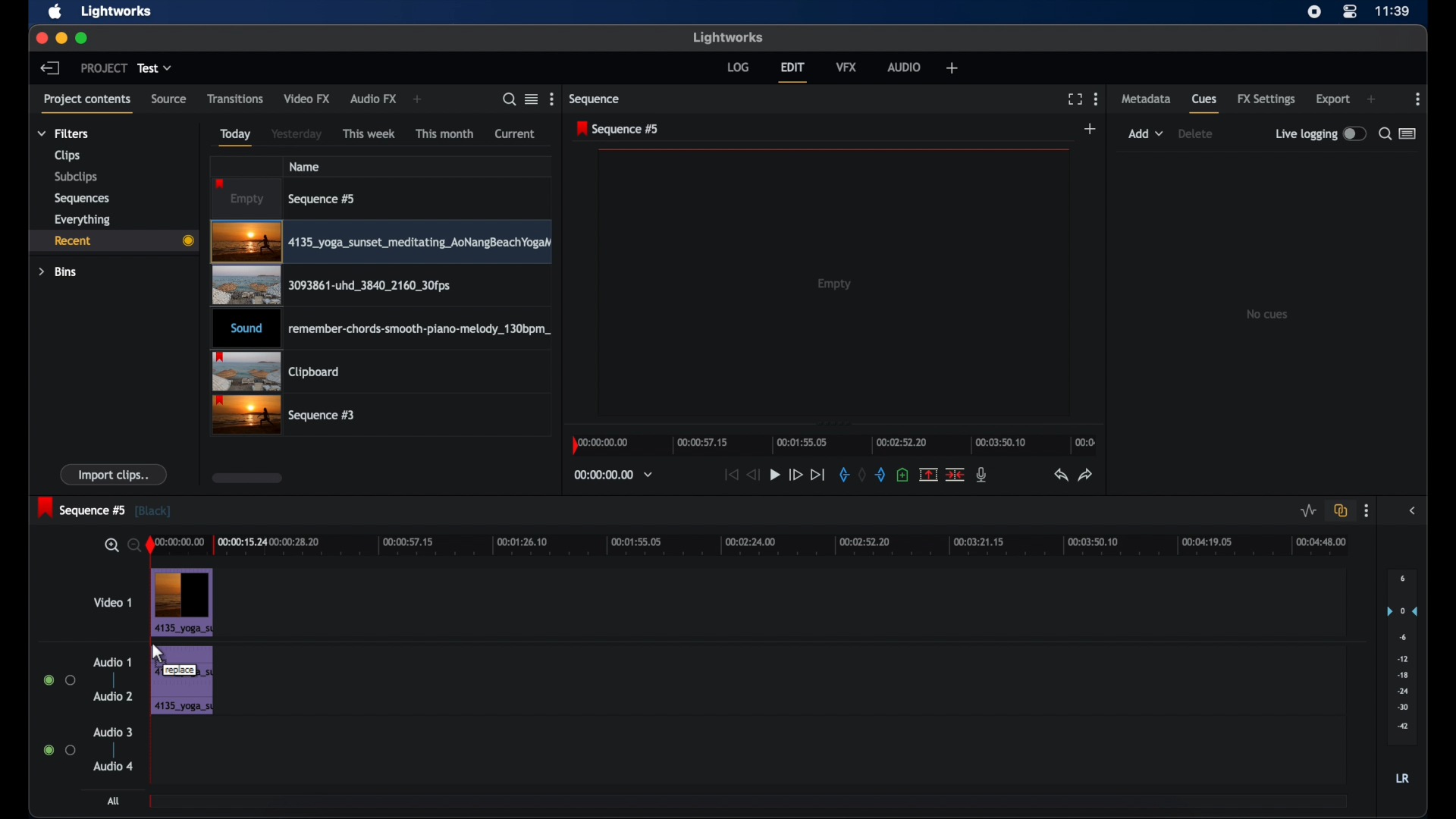  What do you see at coordinates (296, 133) in the screenshot?
I see `yesterday` at bounding box center [296, 133].